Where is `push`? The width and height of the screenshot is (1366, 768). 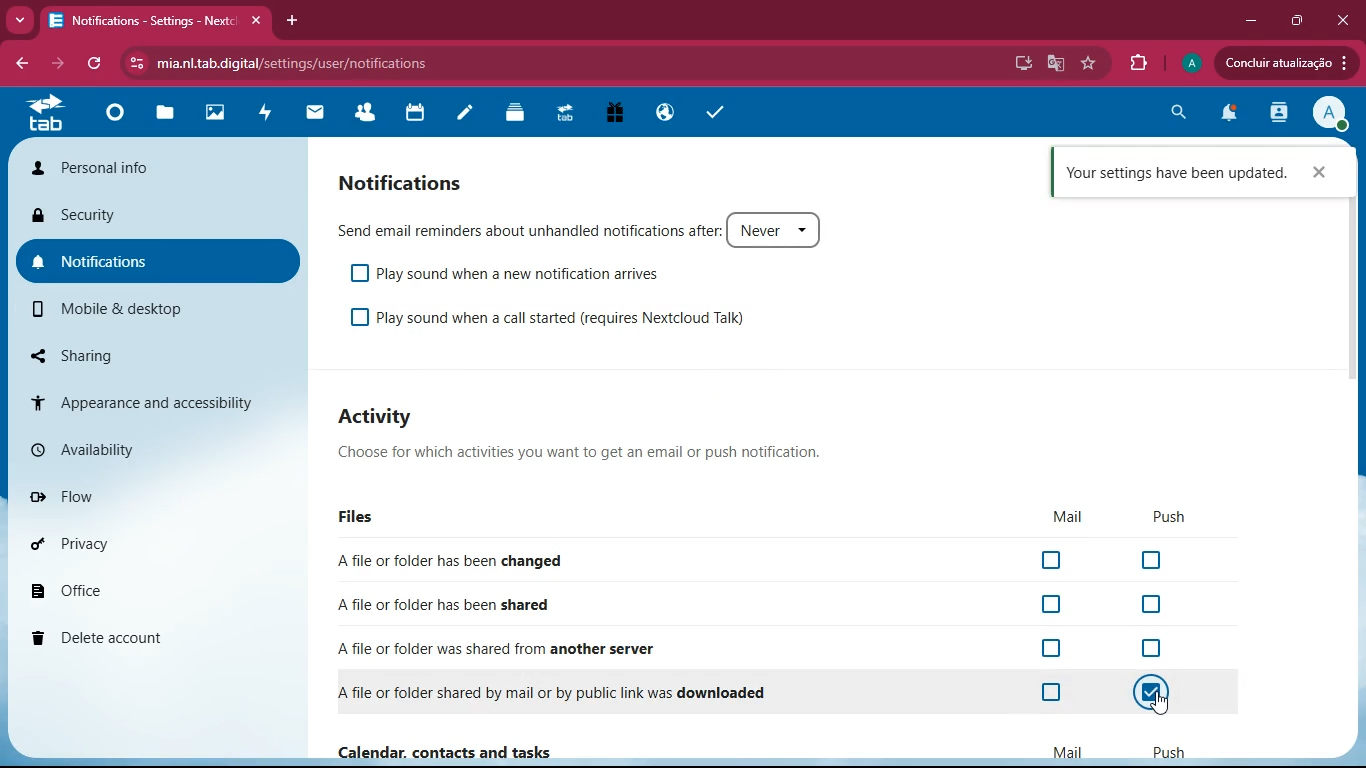
push is located at coordinates (1170, 517).